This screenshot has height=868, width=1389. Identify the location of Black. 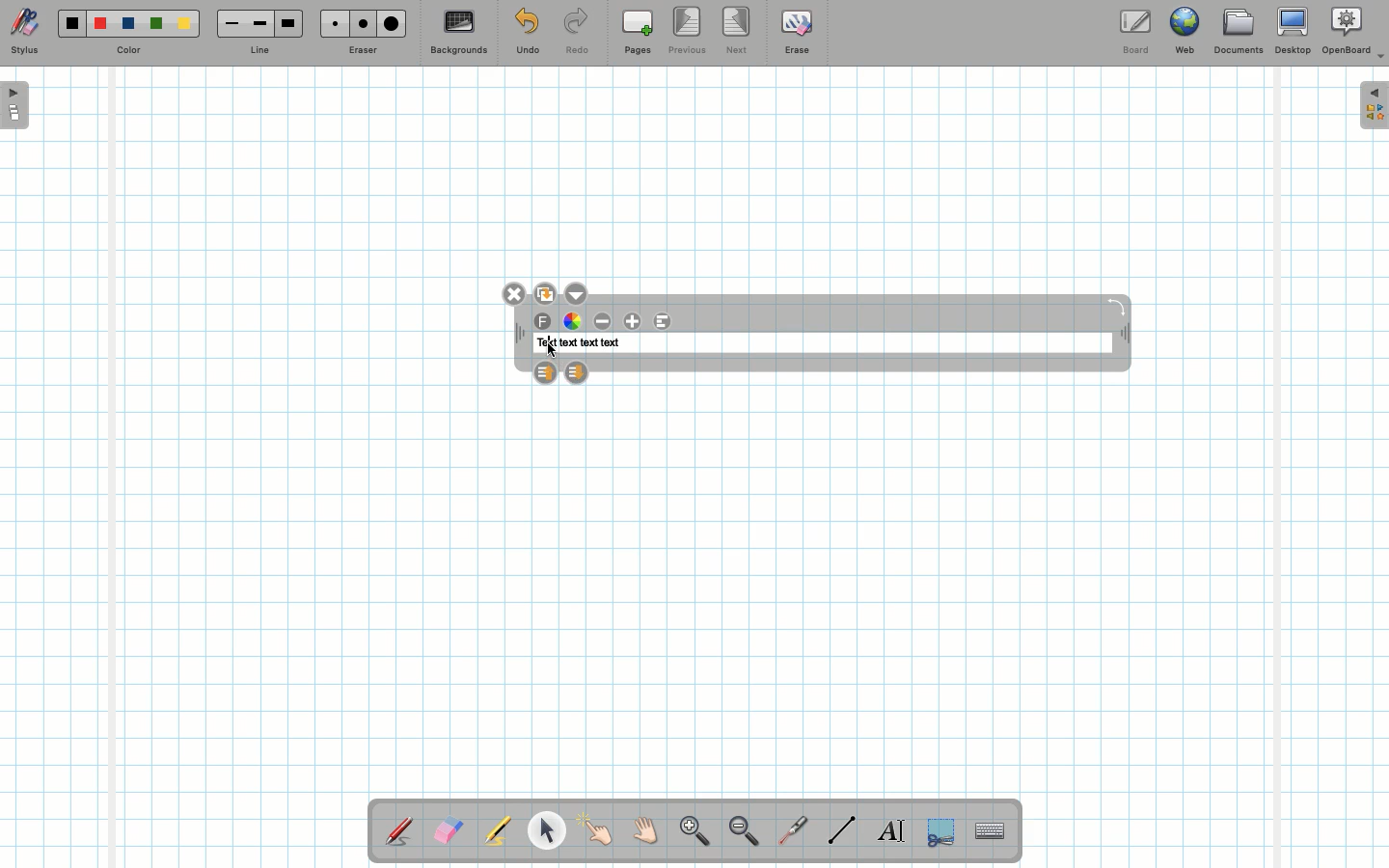
(70, 23).